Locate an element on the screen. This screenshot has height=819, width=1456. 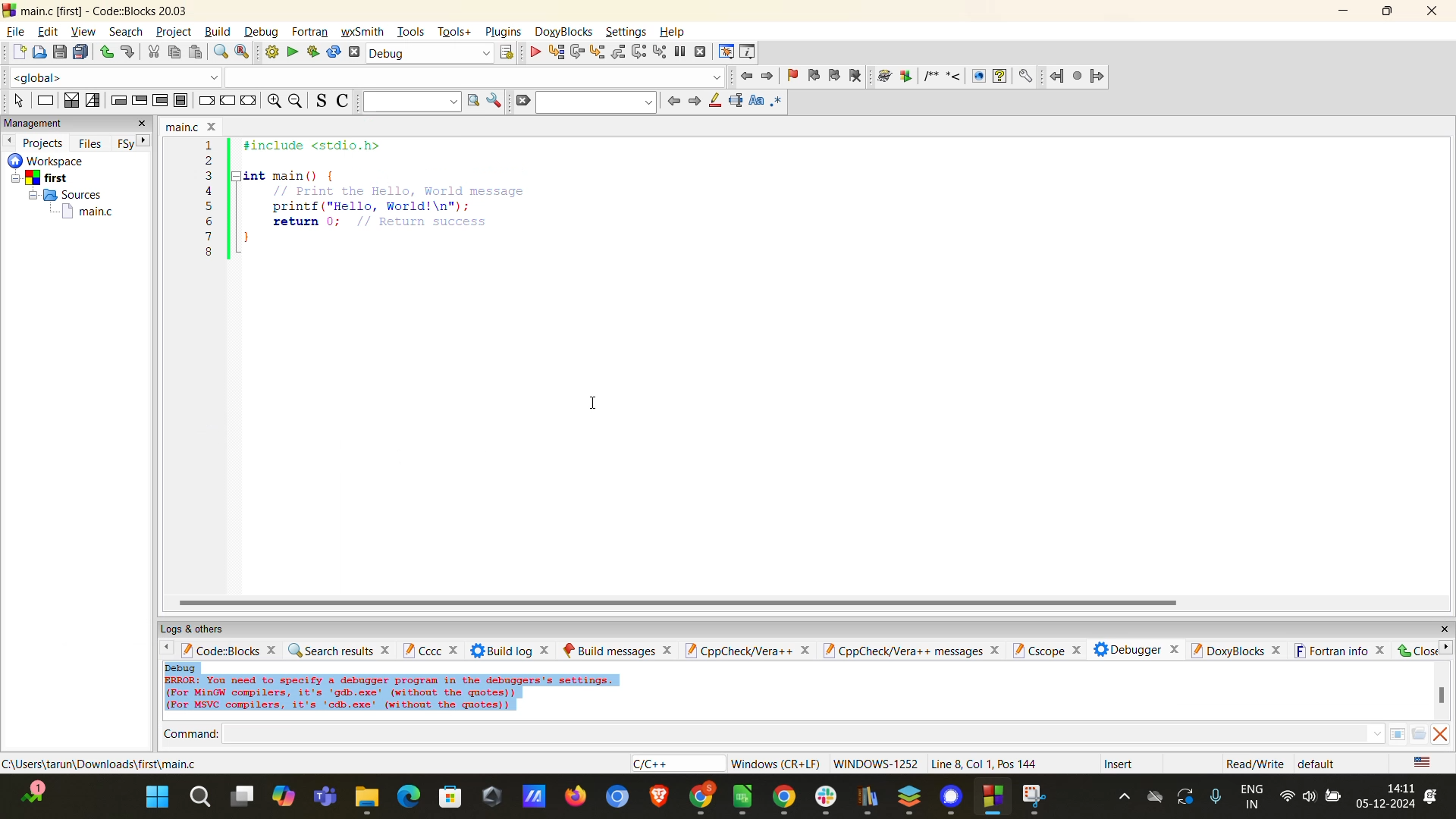
metadata is located at coordinates (1041, 761).